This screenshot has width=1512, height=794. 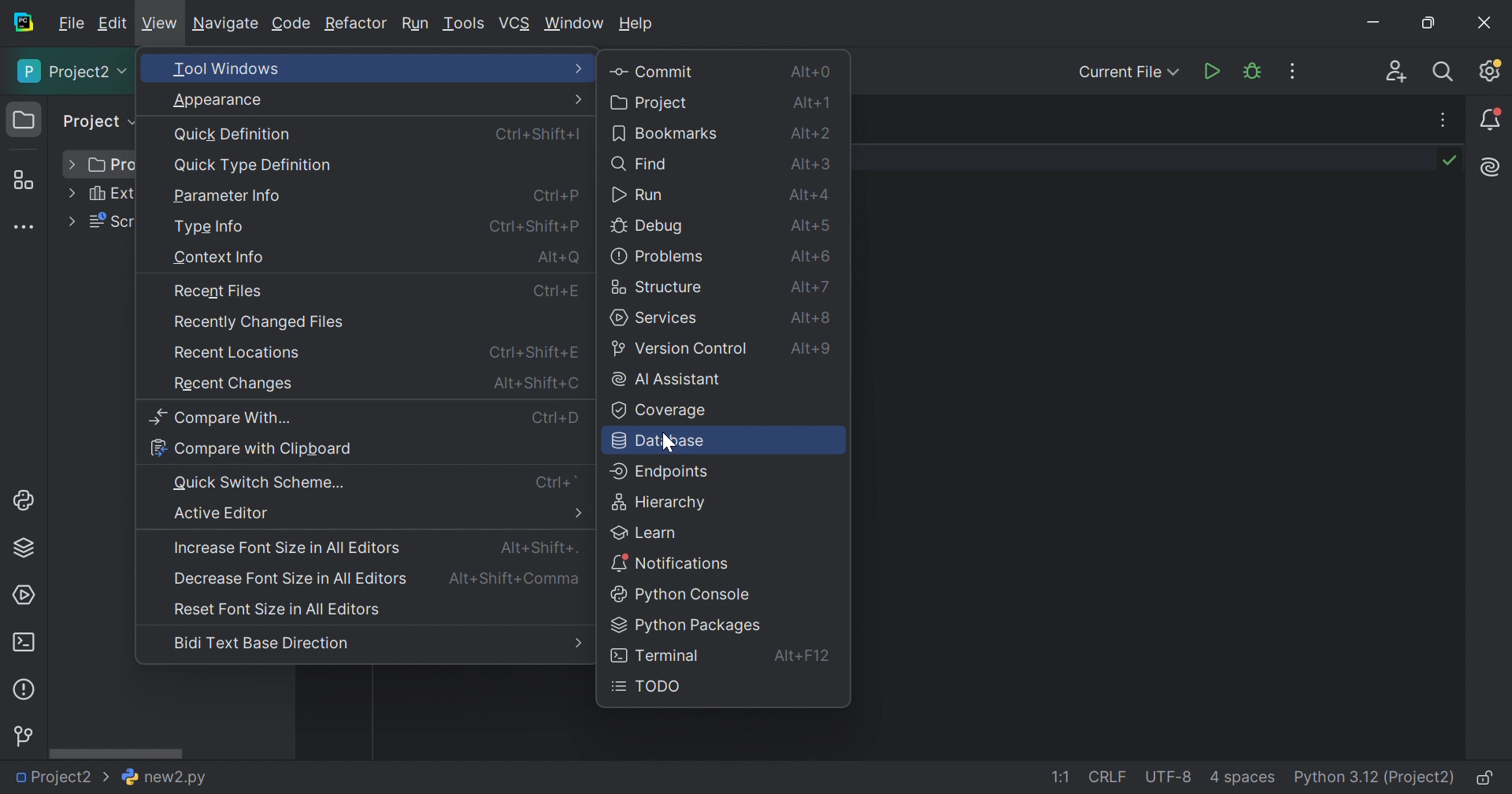 I want to click on Cursor, so click(x=666, y=443).